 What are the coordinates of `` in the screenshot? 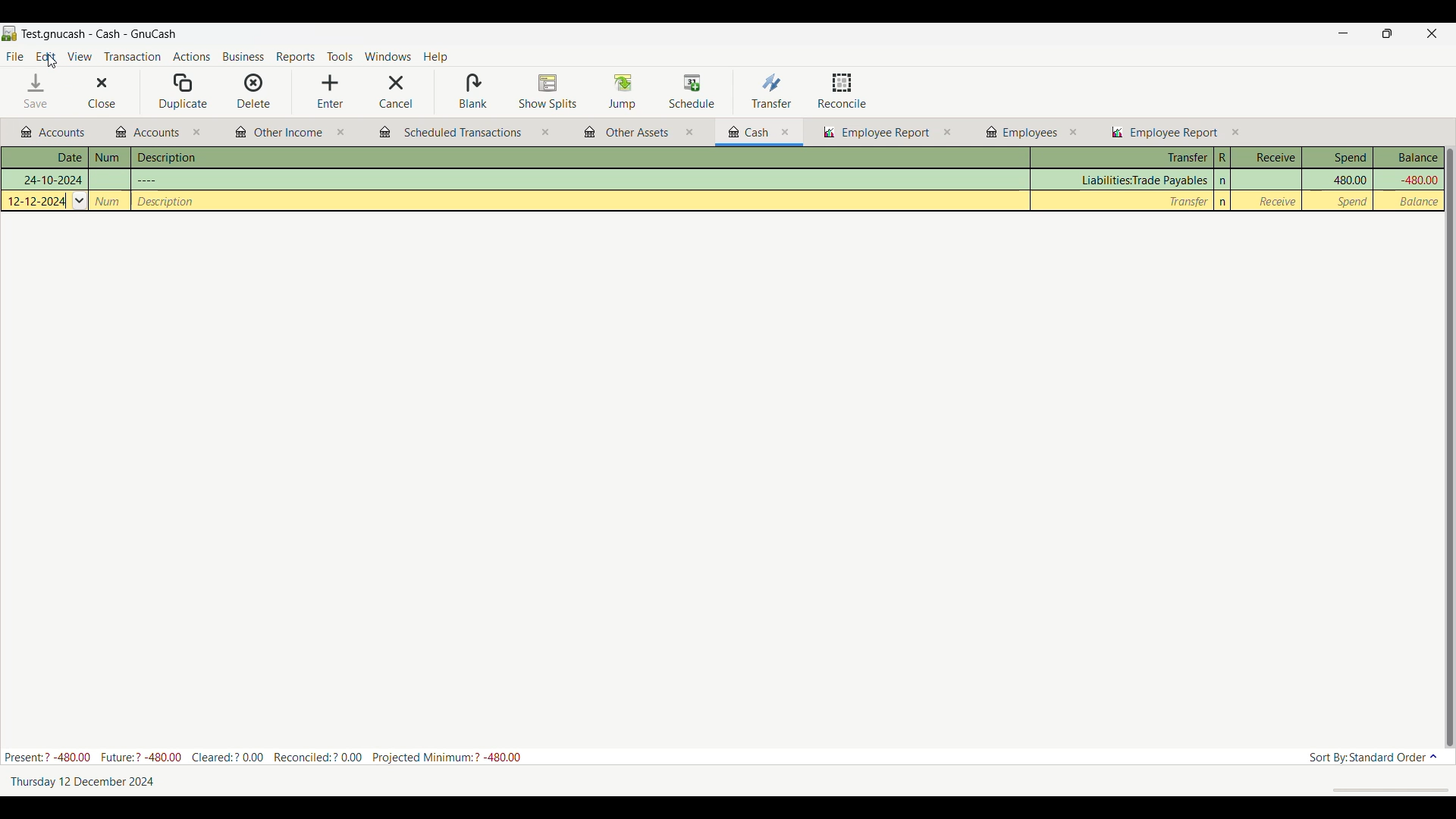 It's located at (81, 202).